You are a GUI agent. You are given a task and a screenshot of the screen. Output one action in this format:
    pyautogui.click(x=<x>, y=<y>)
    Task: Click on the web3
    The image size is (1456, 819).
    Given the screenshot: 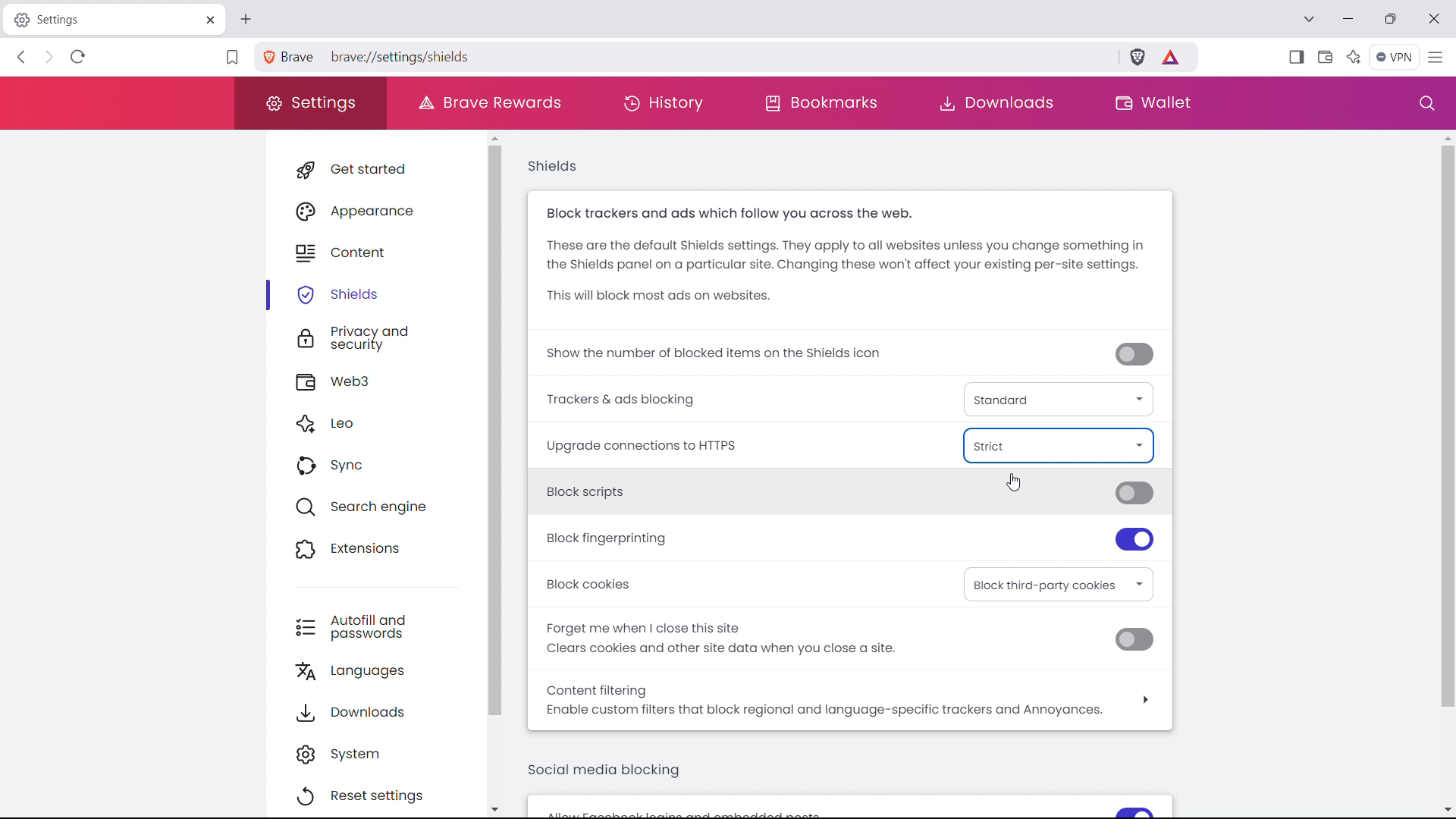 What is the action you would take?
    pyautogui.click(x=385, y=380)
    